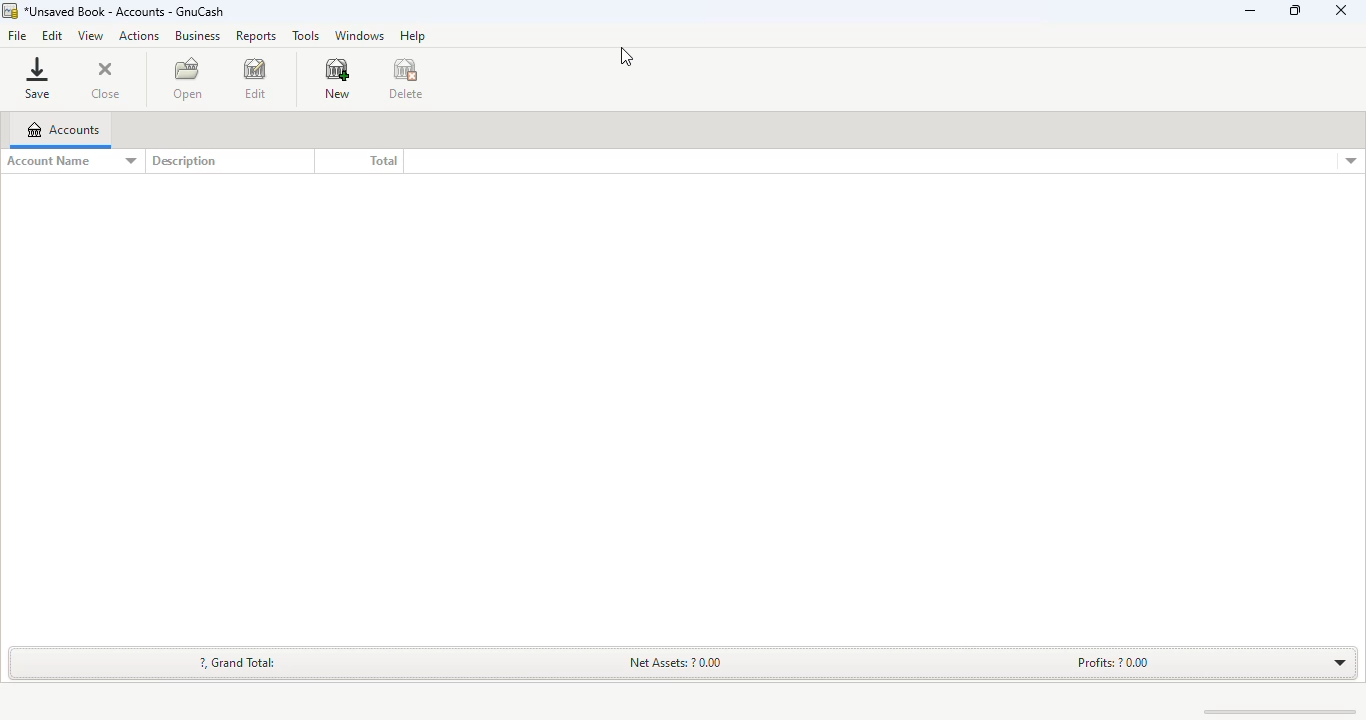  I want to click on actions, so click(139, 35).